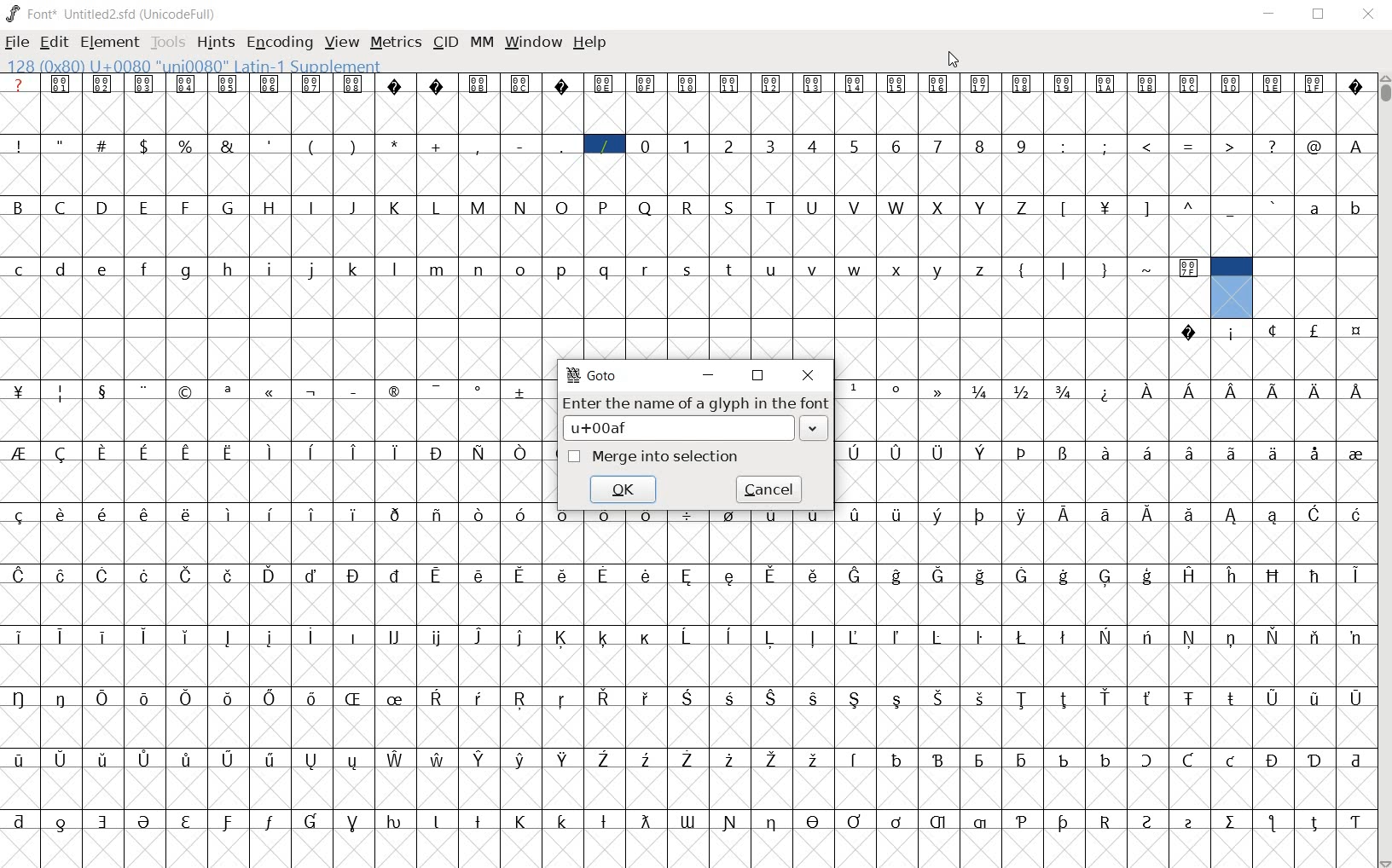  What do you see at coordinates (1356, 453) in the screenshot?
I see `Symbol` at bounding box center [1356, 453].